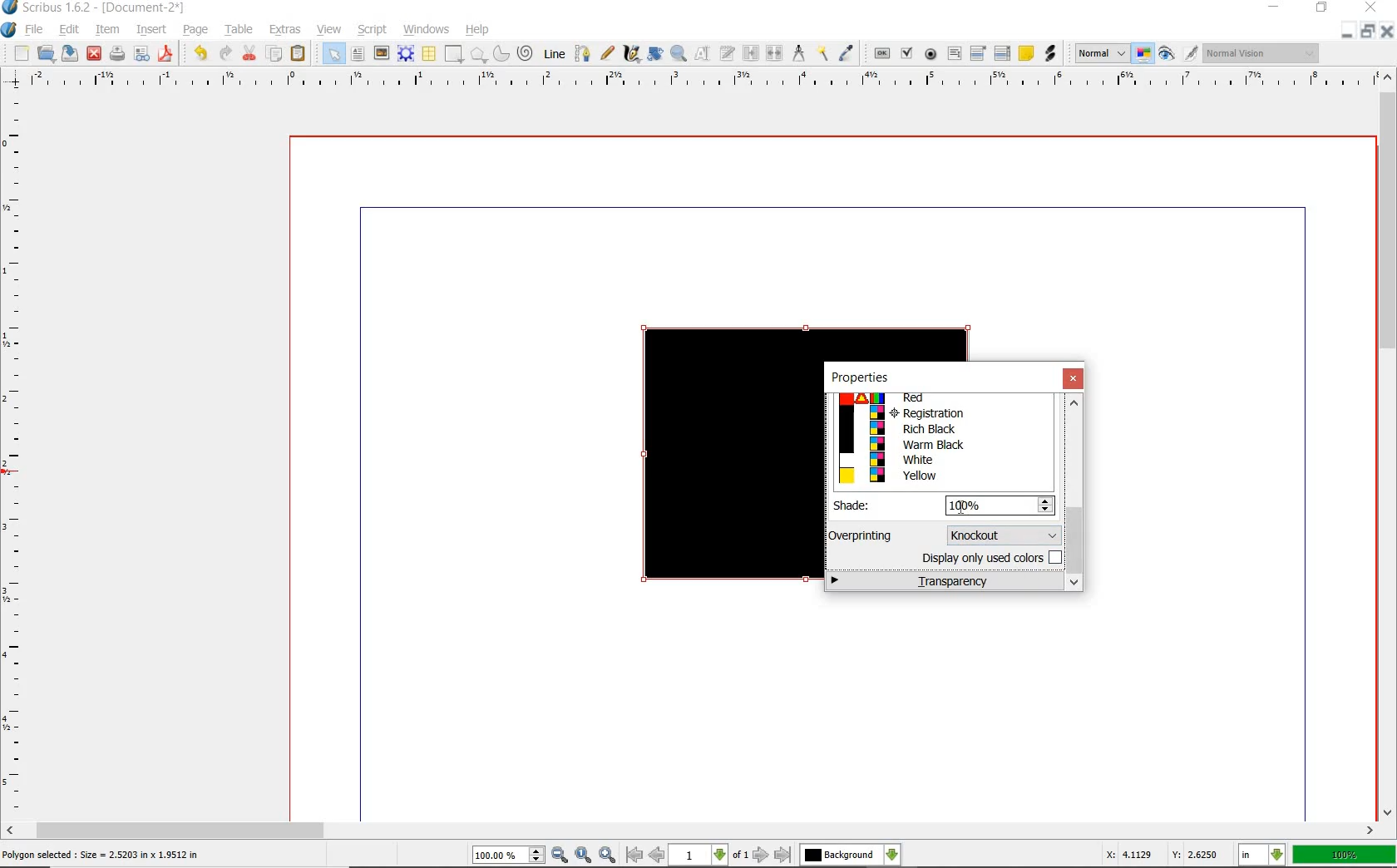 Image resolution: width=1397 pixels, height=868 pixels. I want to click on text frame, so click(360, 53).